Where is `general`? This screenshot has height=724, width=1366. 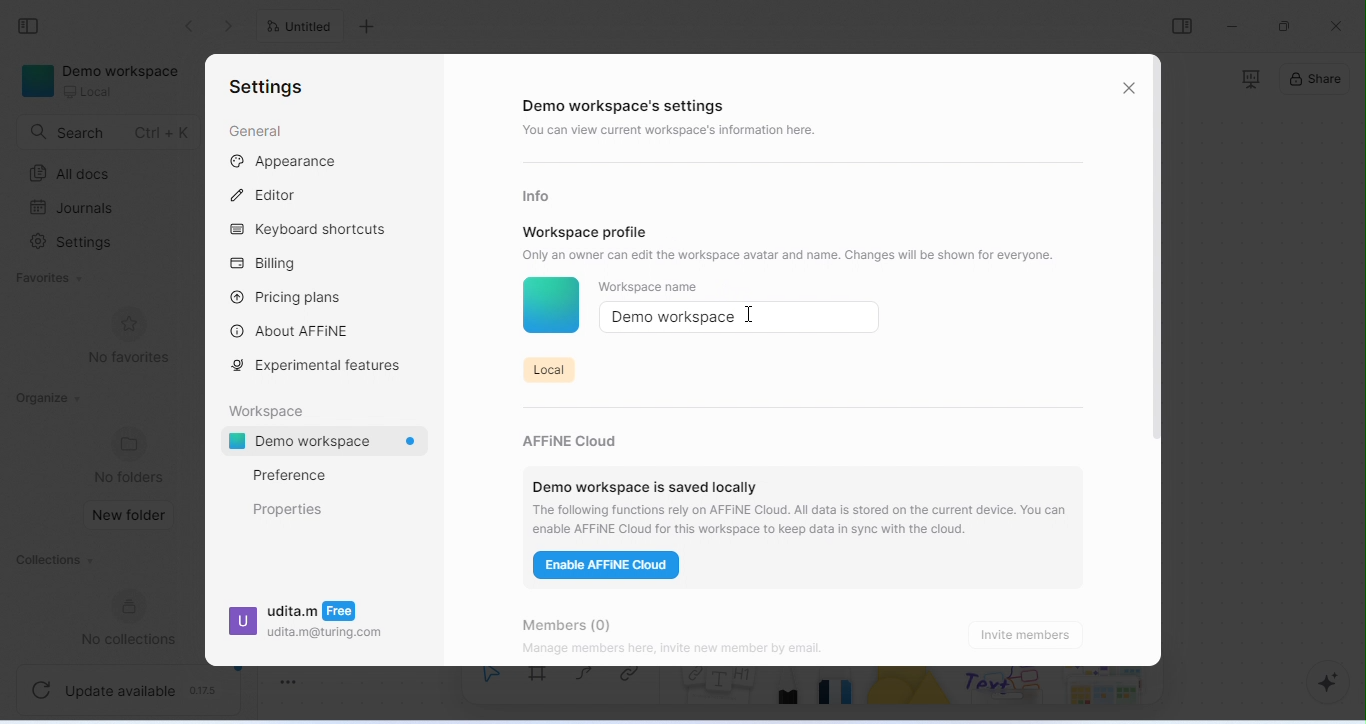 general is located at coordinates (255, 132).